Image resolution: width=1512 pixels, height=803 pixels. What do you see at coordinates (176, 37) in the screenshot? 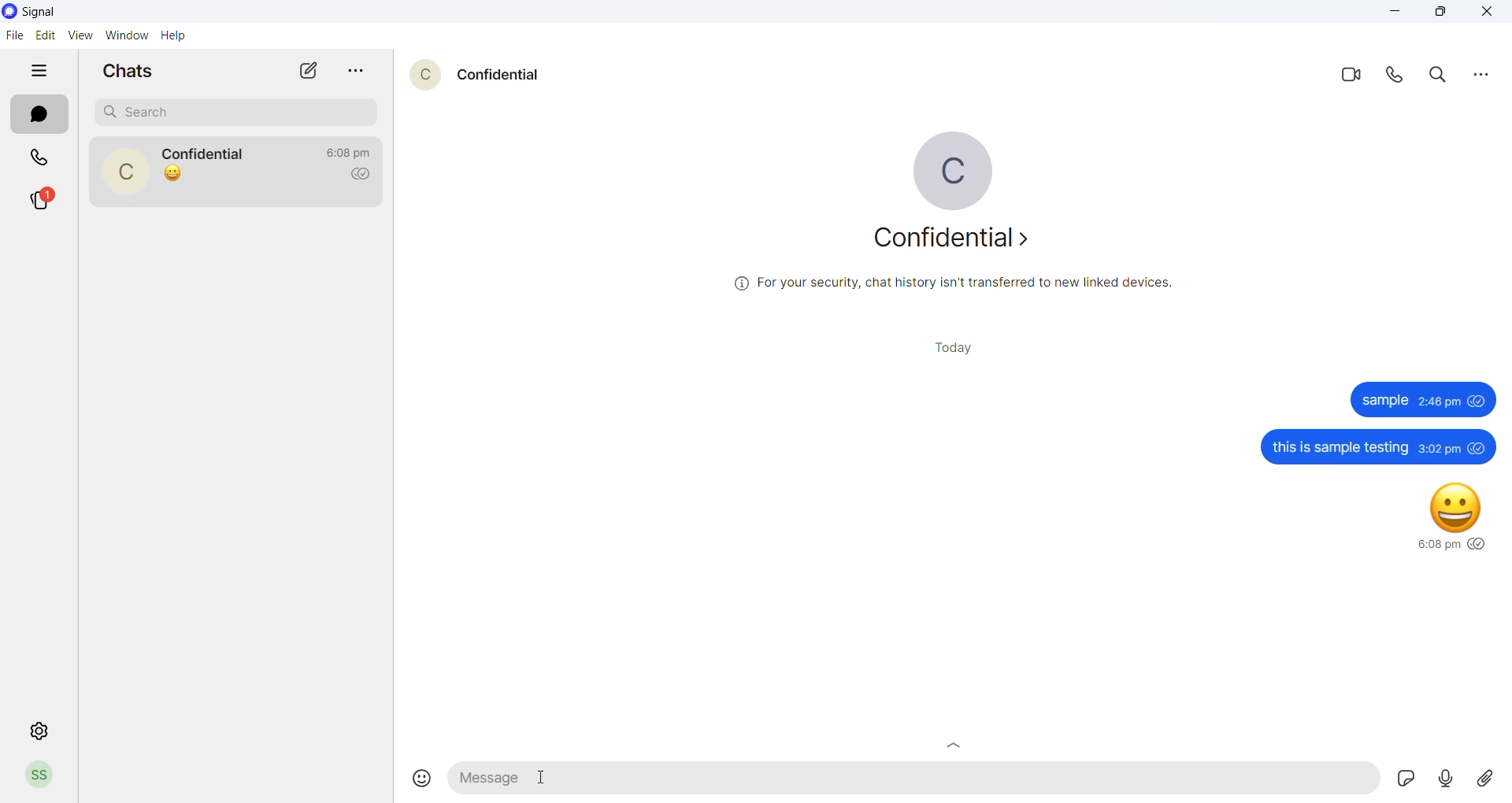
I see `help` at bounding box center [176, 37].